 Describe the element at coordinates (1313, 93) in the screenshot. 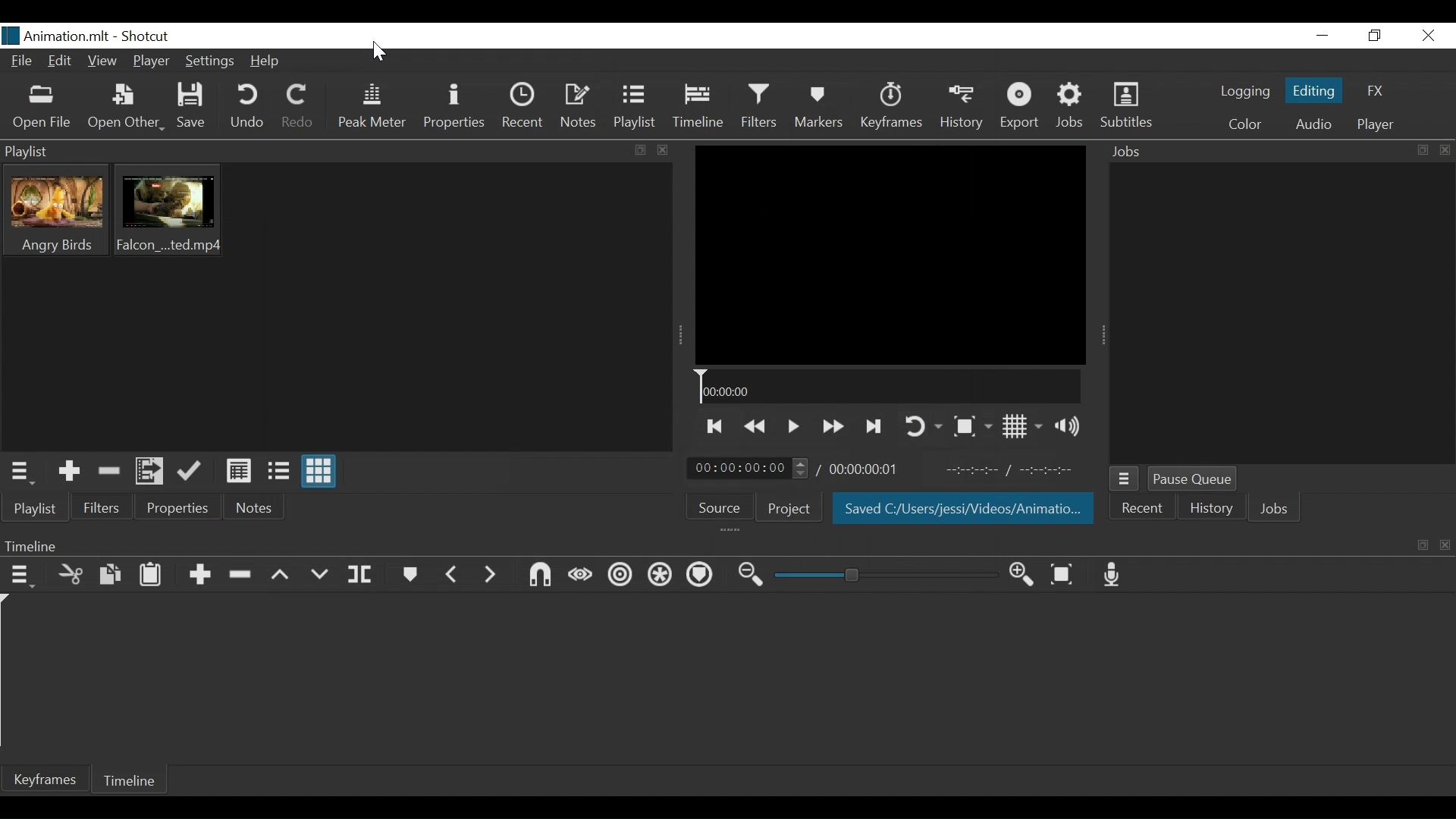

I see `Editing` at that location.